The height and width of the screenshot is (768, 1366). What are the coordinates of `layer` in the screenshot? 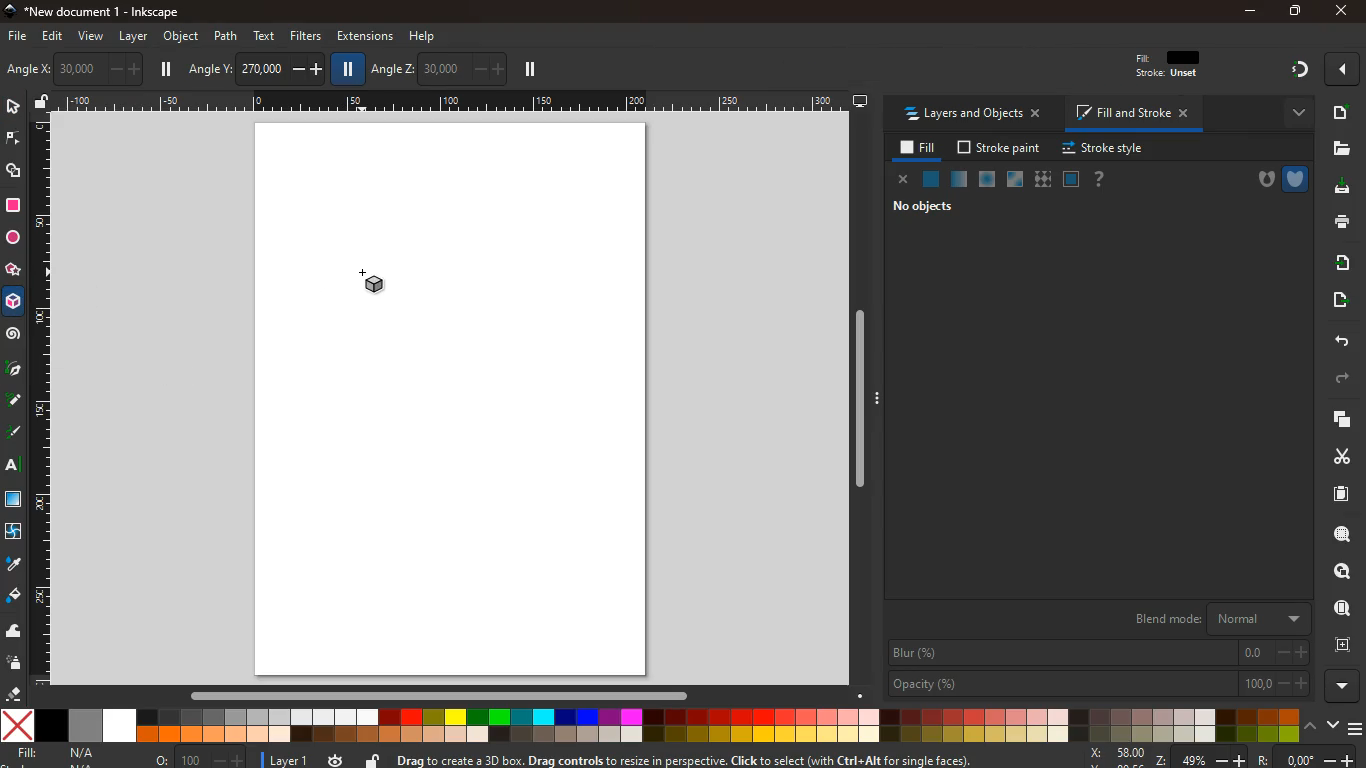 It's located at (133, 36).